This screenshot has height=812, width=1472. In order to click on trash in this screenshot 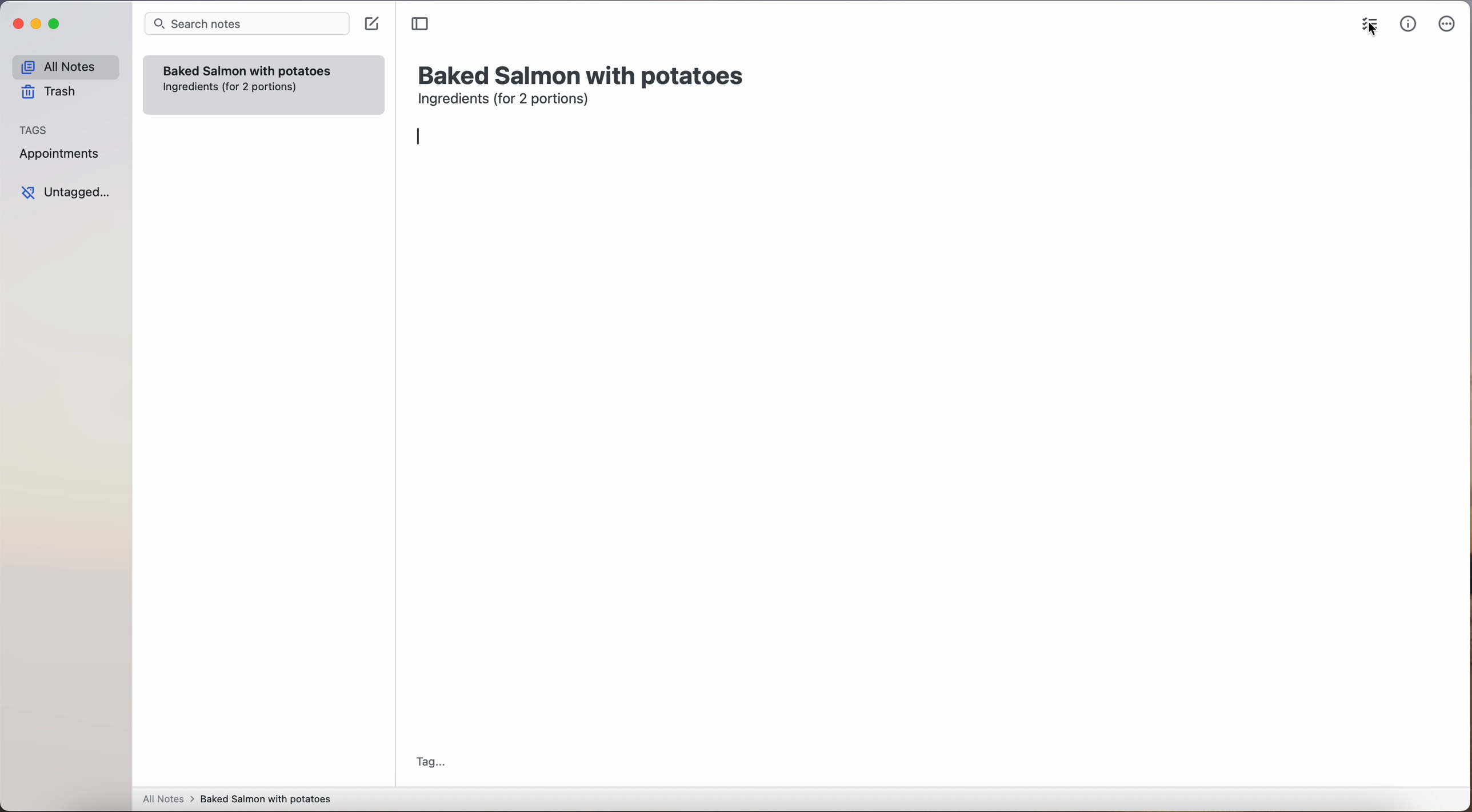, I will do `click(53, 92)`.